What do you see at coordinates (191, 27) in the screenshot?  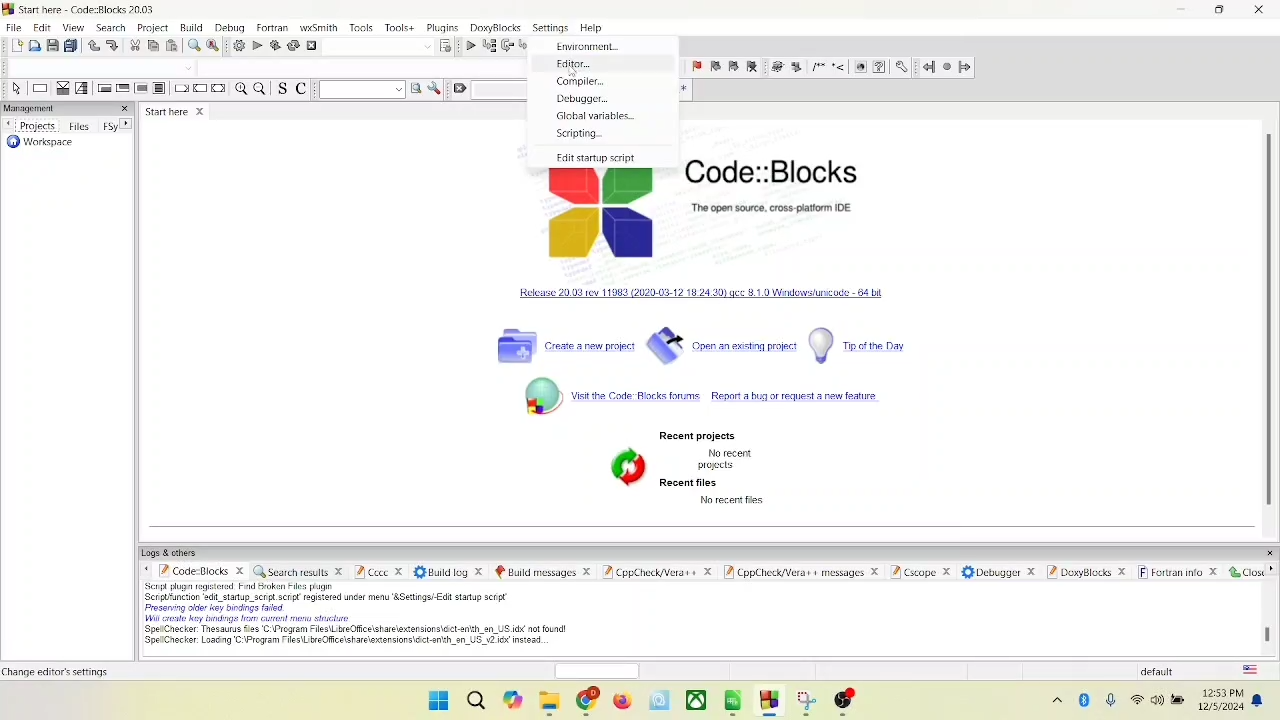 I see `build` at bounding box center [191, 27].